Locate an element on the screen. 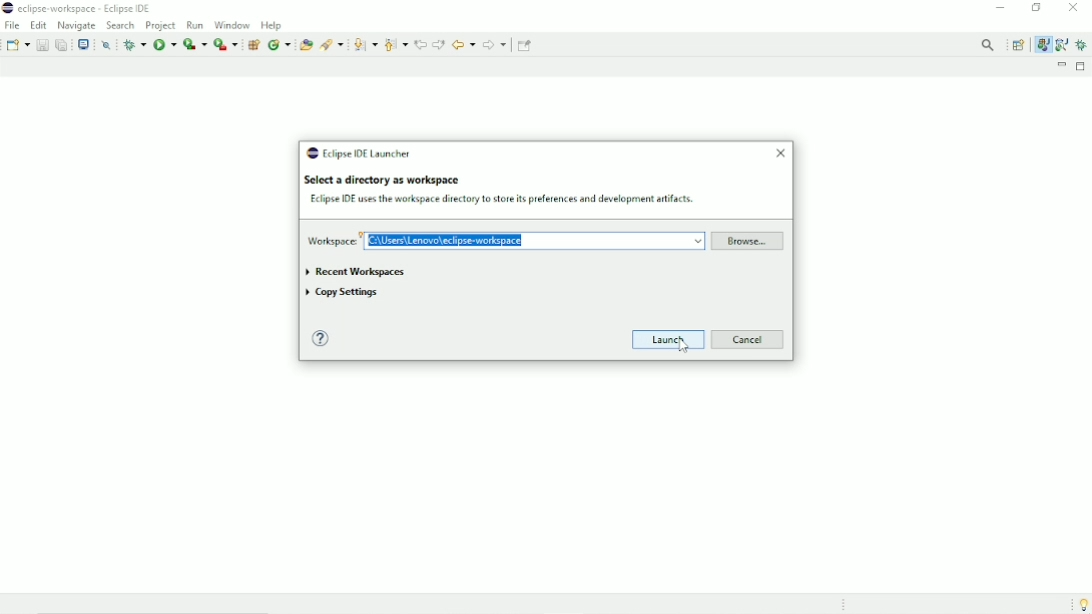 Image resolution: width=1092 pixels, height=614 pixels. c/users/lenovo/eclipse-workspace is located at coordinates (535, 240).